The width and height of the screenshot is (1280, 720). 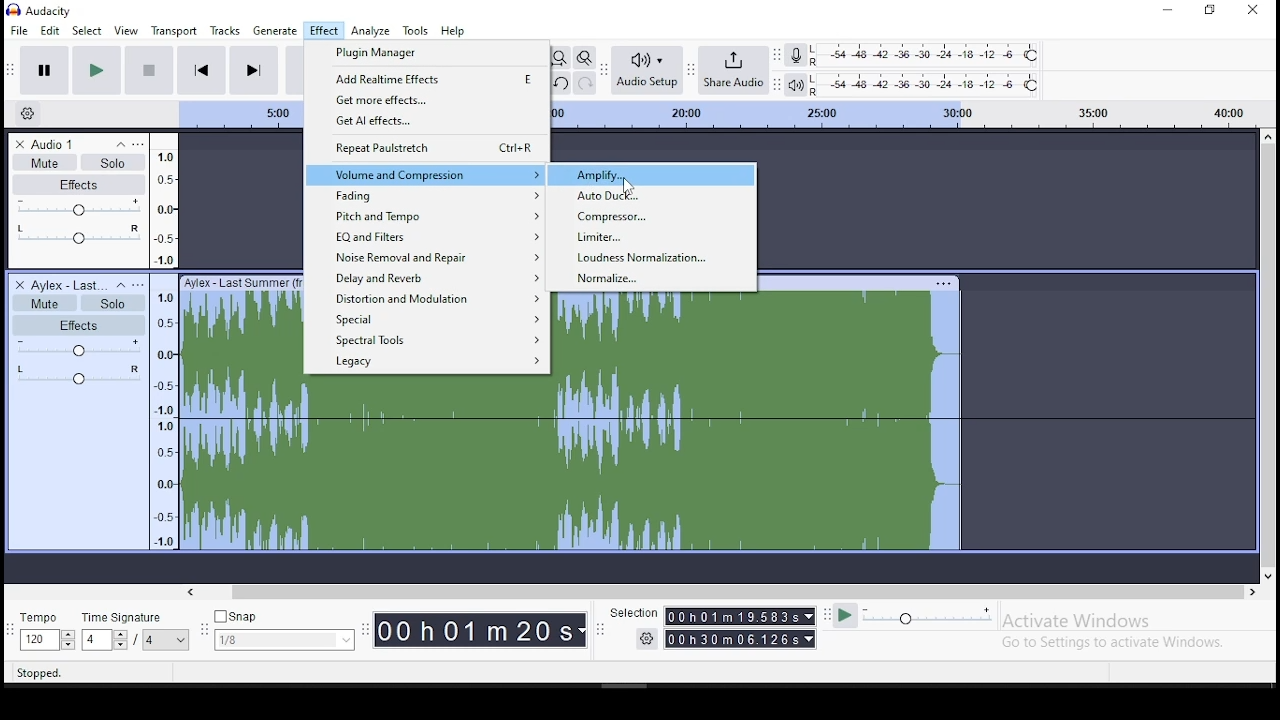 I want to click on noise removal and repair, so click(x=426, y=257).